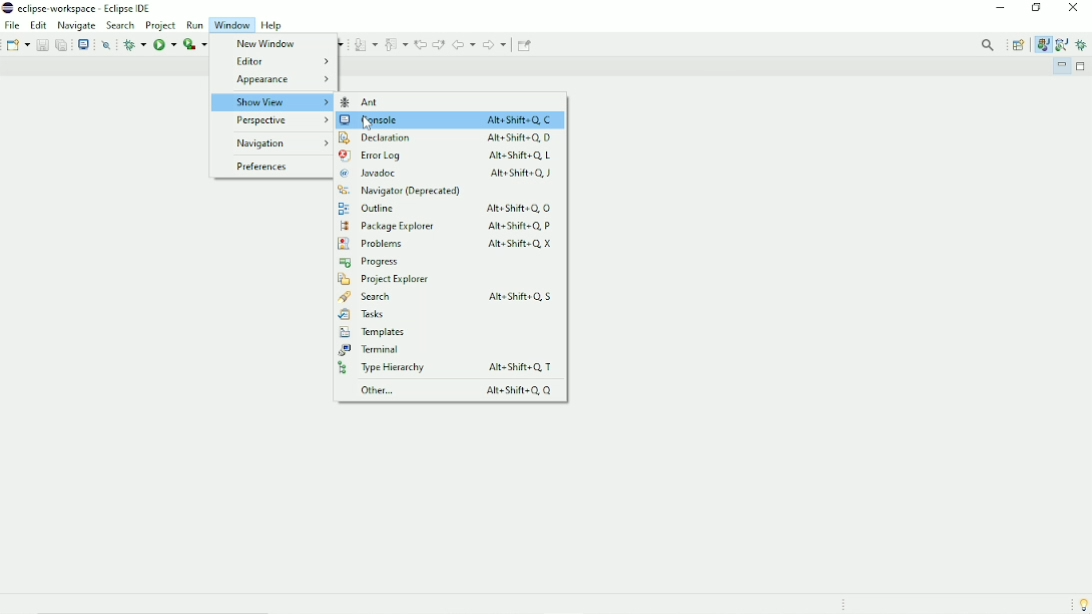 Image resolution: width=1092 pixels, height=614 pixels. I want to click on Preferences, so click(260, 167).